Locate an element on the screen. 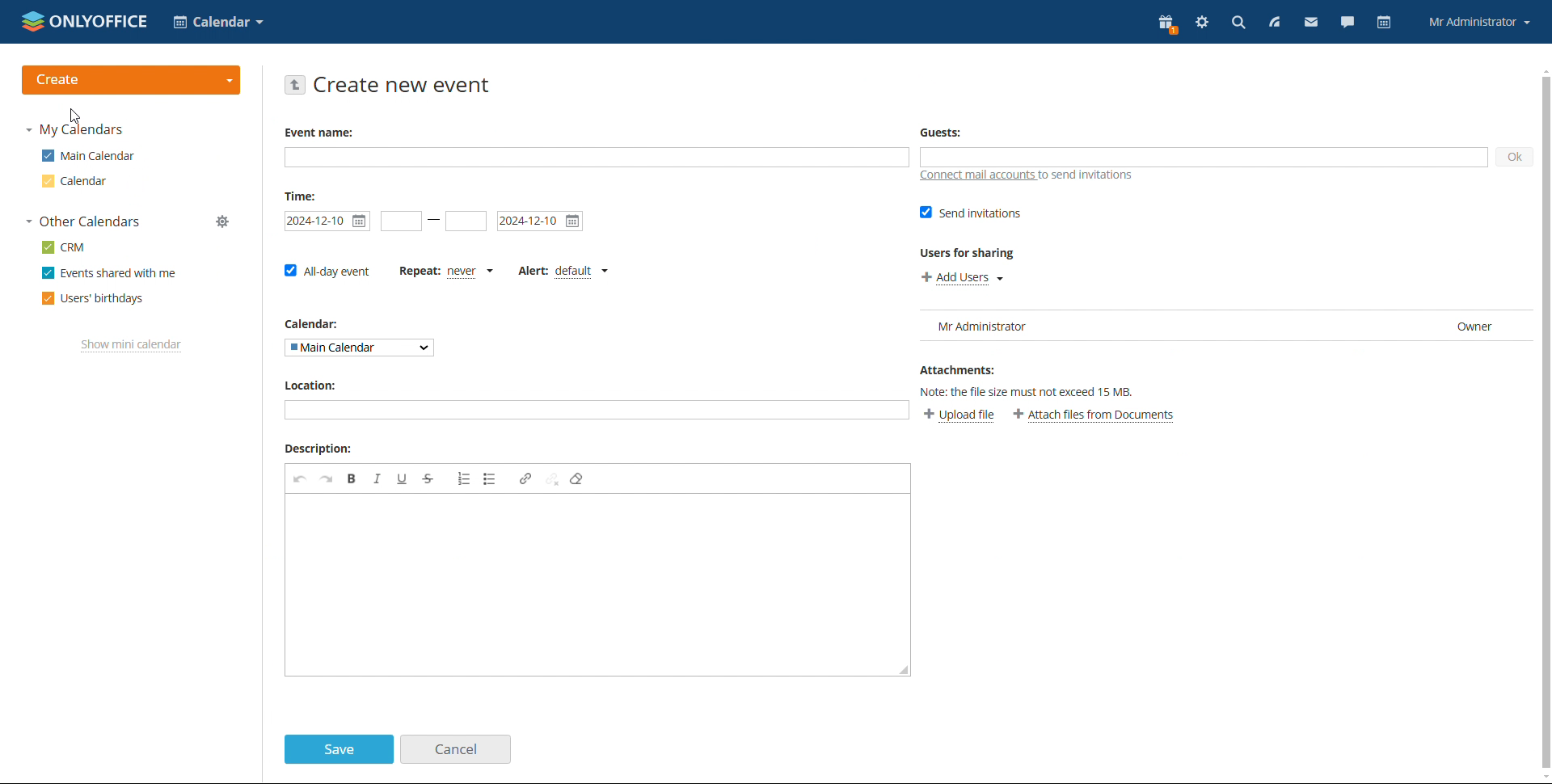 The height and width of the screenshot is (784, 1552). upload file is located at coordinates (962, 415).